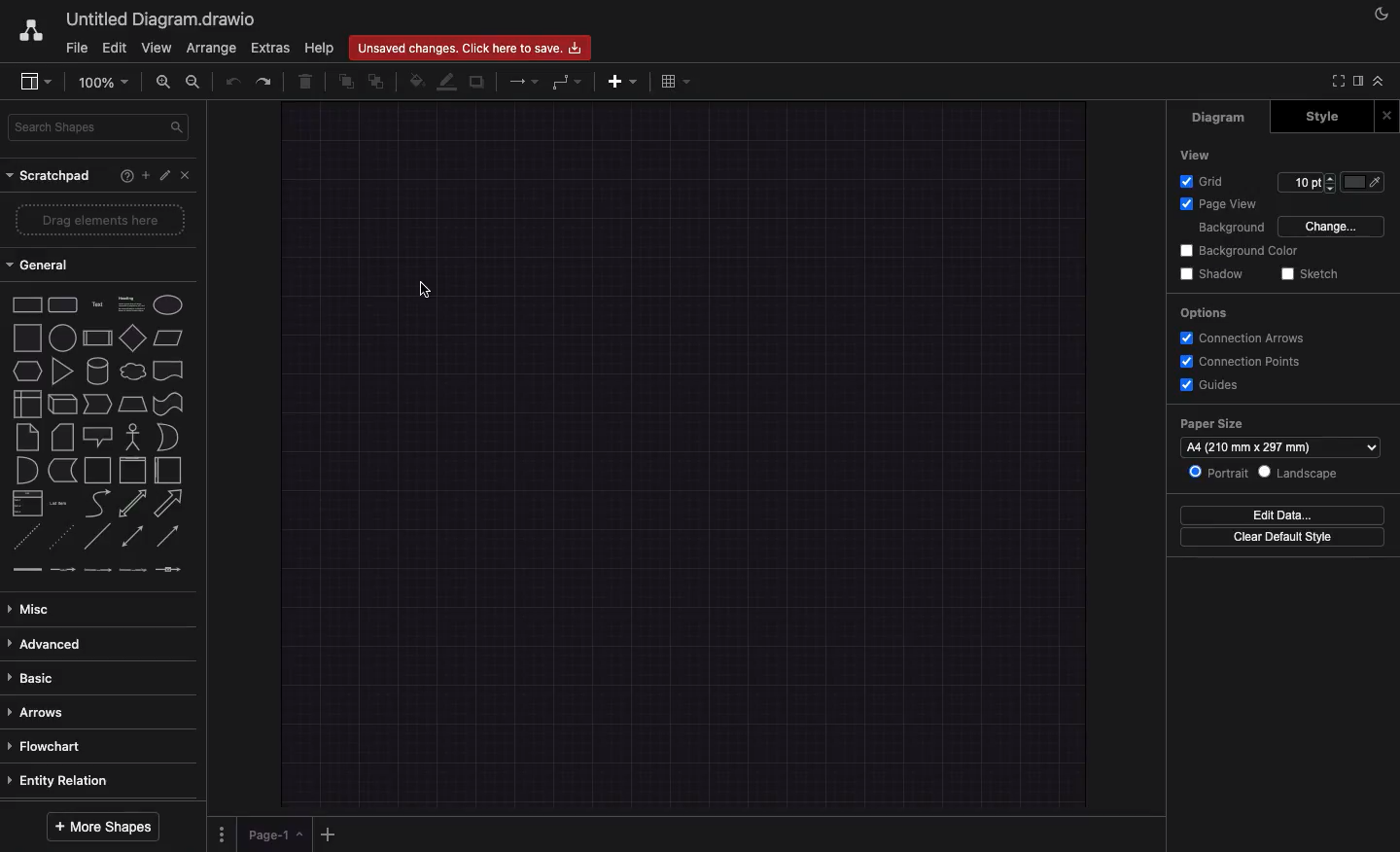  What do you see at coordinates (447, 81) in the screenshot?
I see `Line color` at bounding box center [447, 81].